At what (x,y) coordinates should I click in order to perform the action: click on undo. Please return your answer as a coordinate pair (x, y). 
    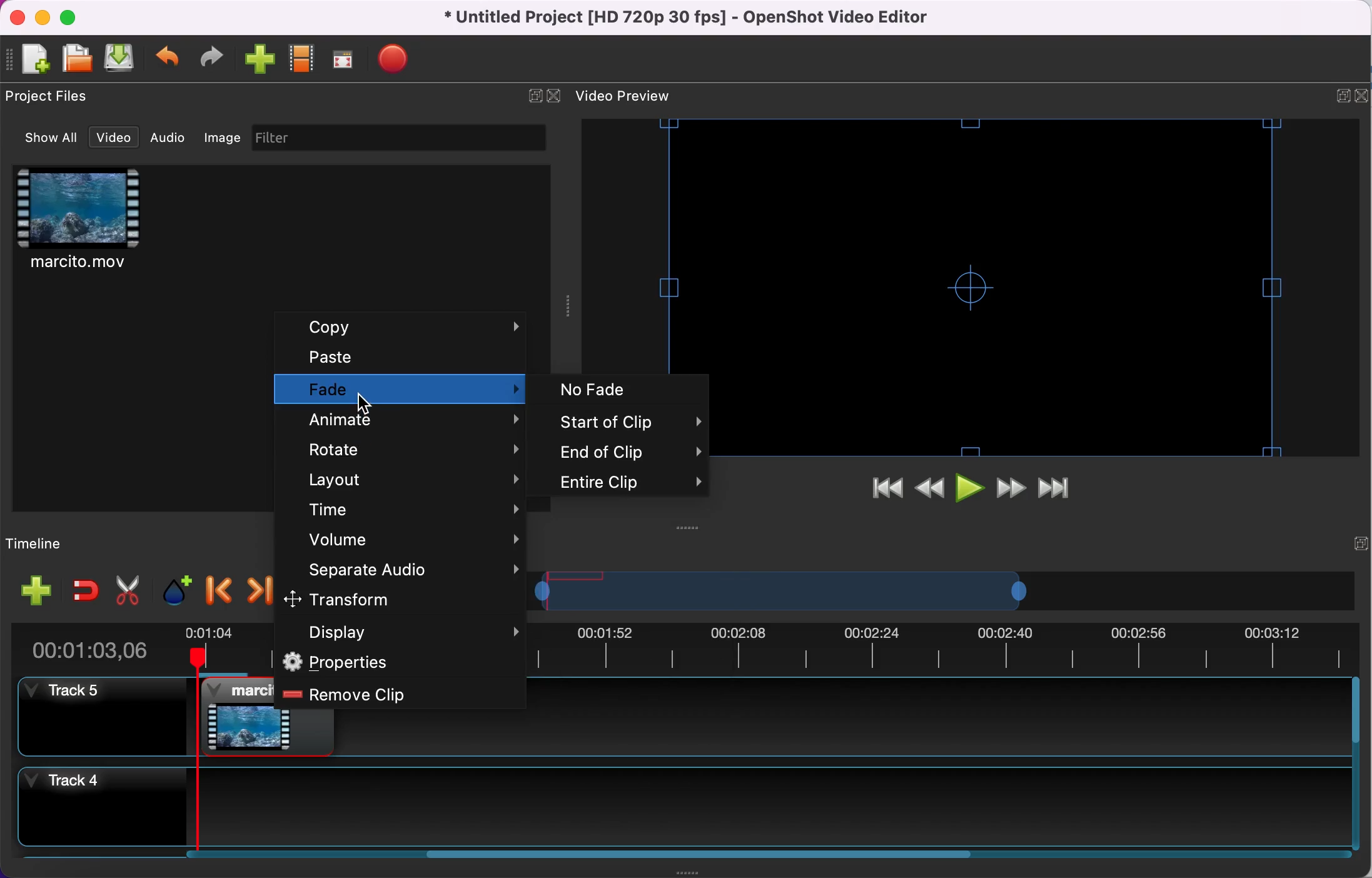
    Looking at the image, I should click on (164, 58).